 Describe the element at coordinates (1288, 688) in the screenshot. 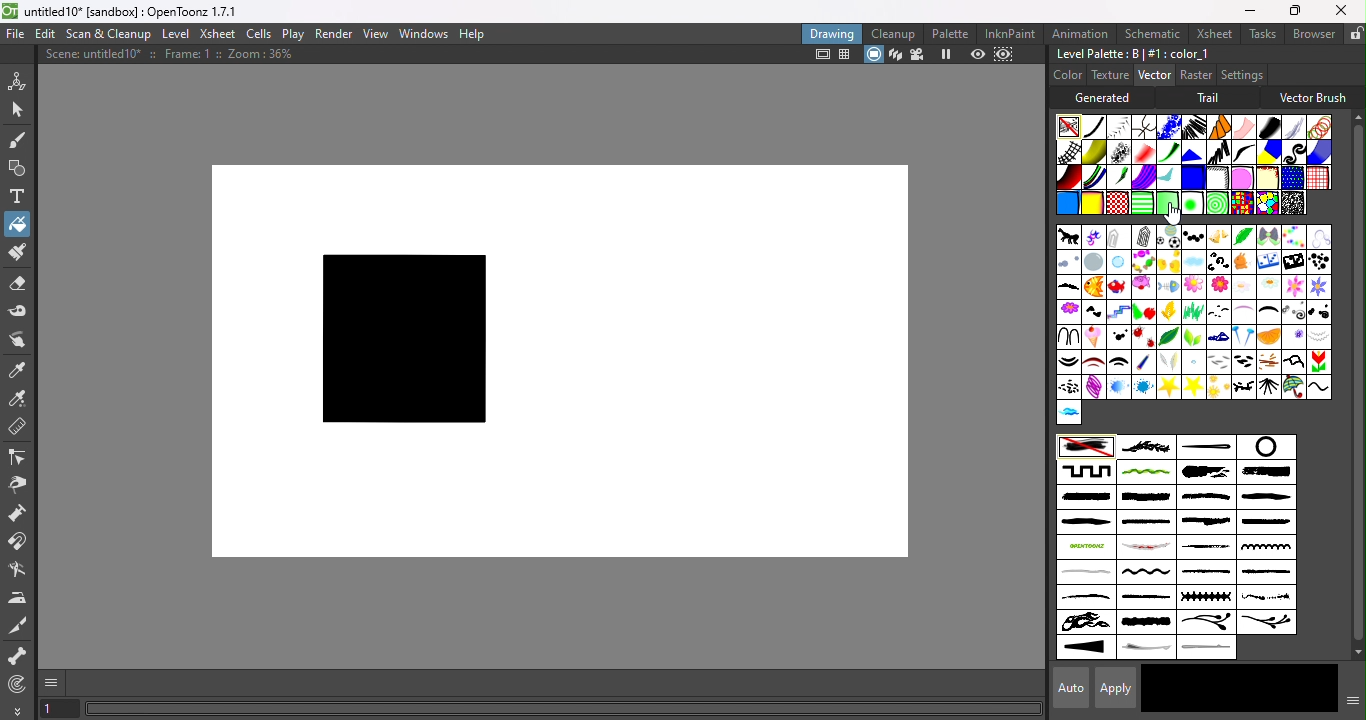

I see `return to previous style` at that location.